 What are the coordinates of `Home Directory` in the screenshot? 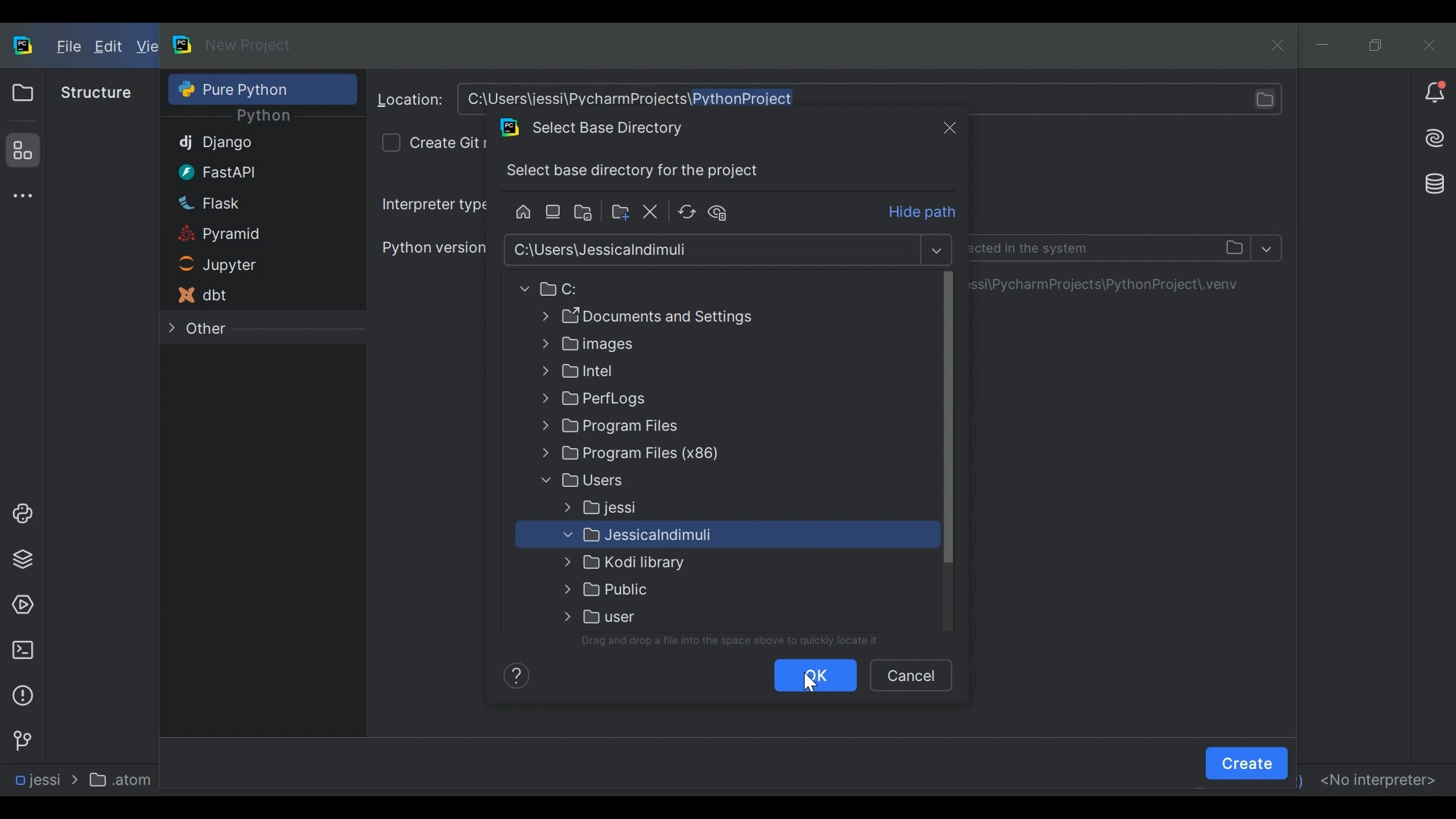 It's located at (522, 212).